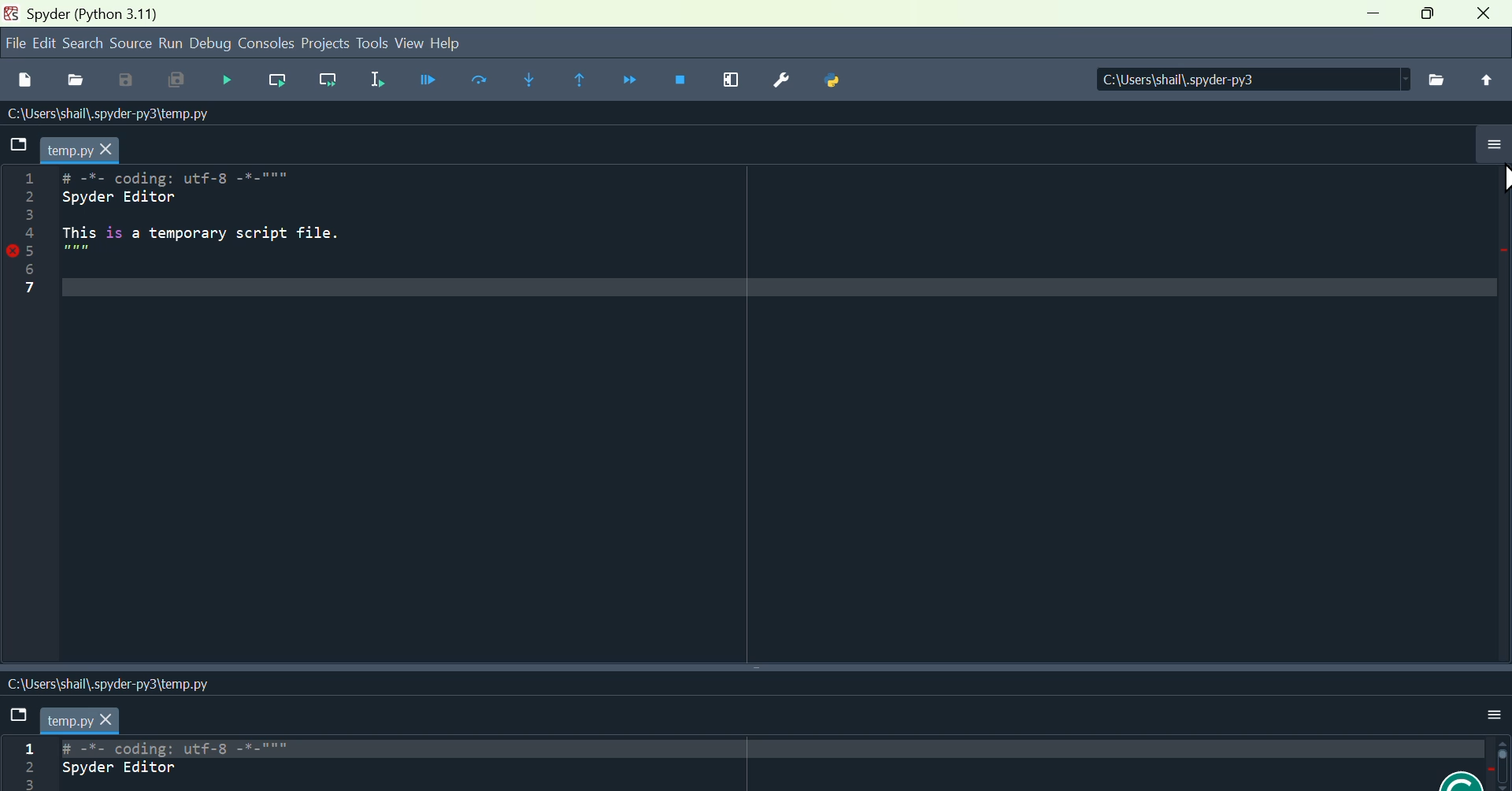 This screenshot has height=791, width=1512. I want to click on Stop debugging, so click(685, 84).